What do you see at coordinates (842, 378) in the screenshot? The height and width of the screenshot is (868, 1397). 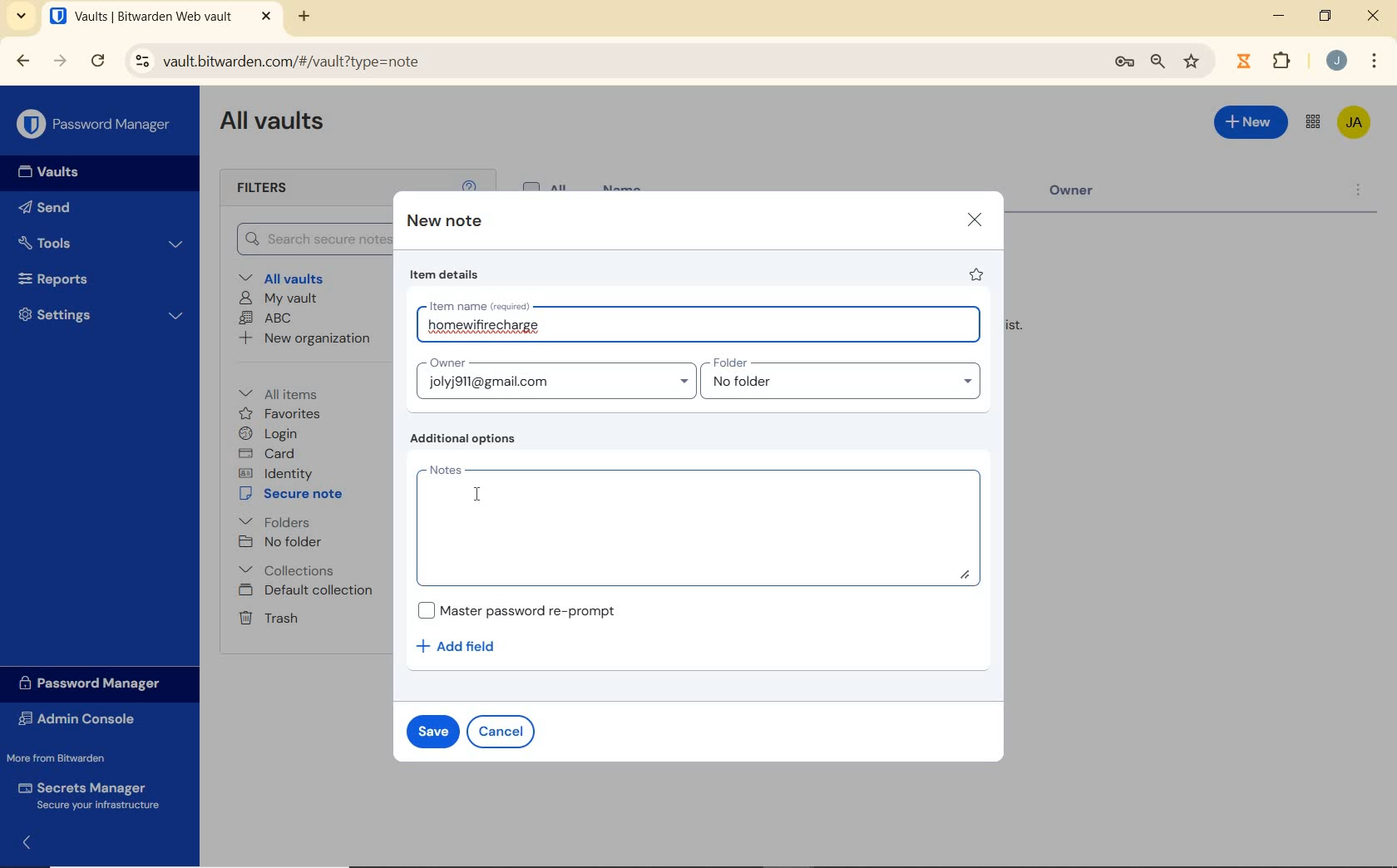 I see `folder` at bounding box center [842, 378].